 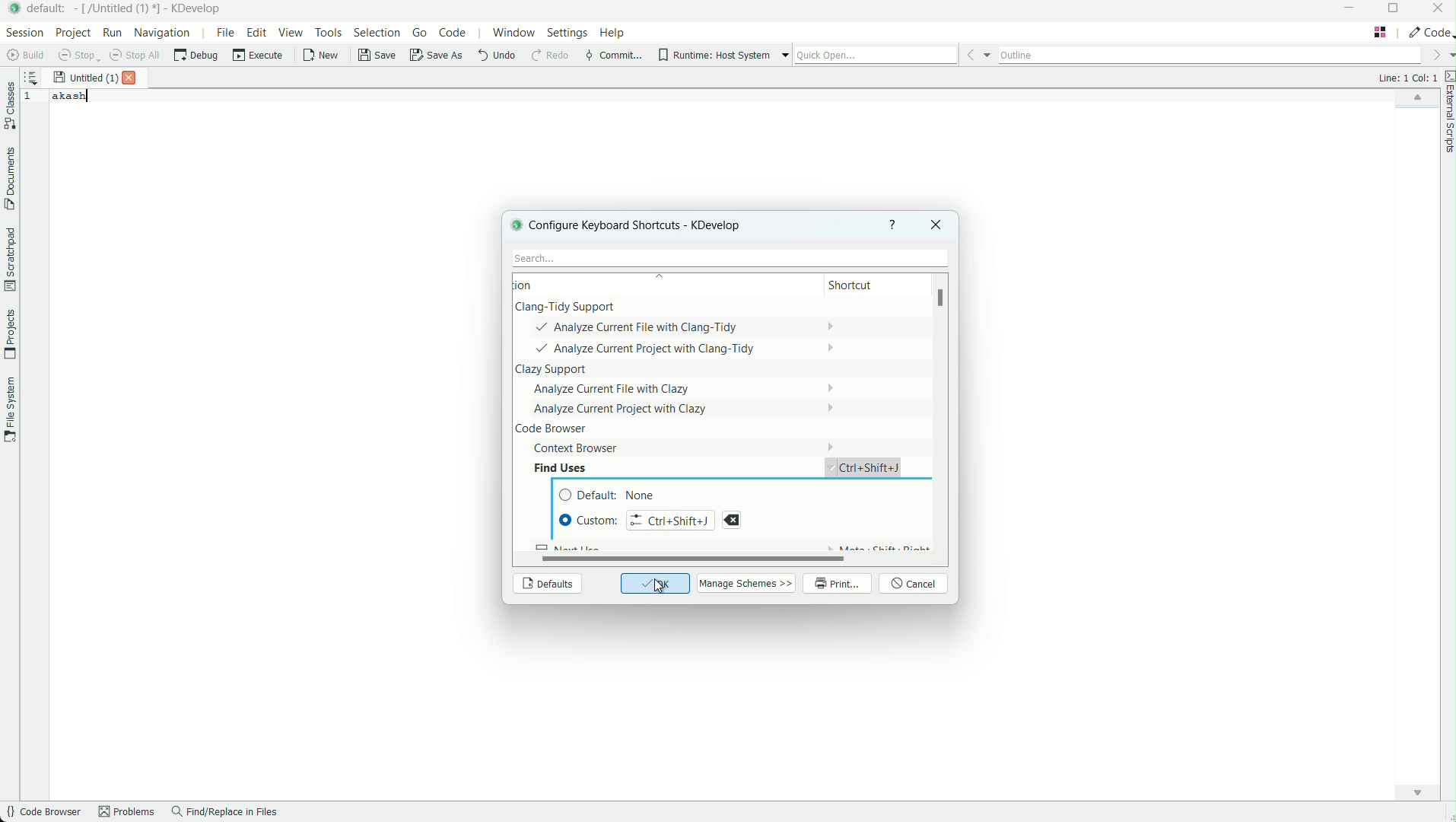 I want to click on close window, so click(x=934, y=225).